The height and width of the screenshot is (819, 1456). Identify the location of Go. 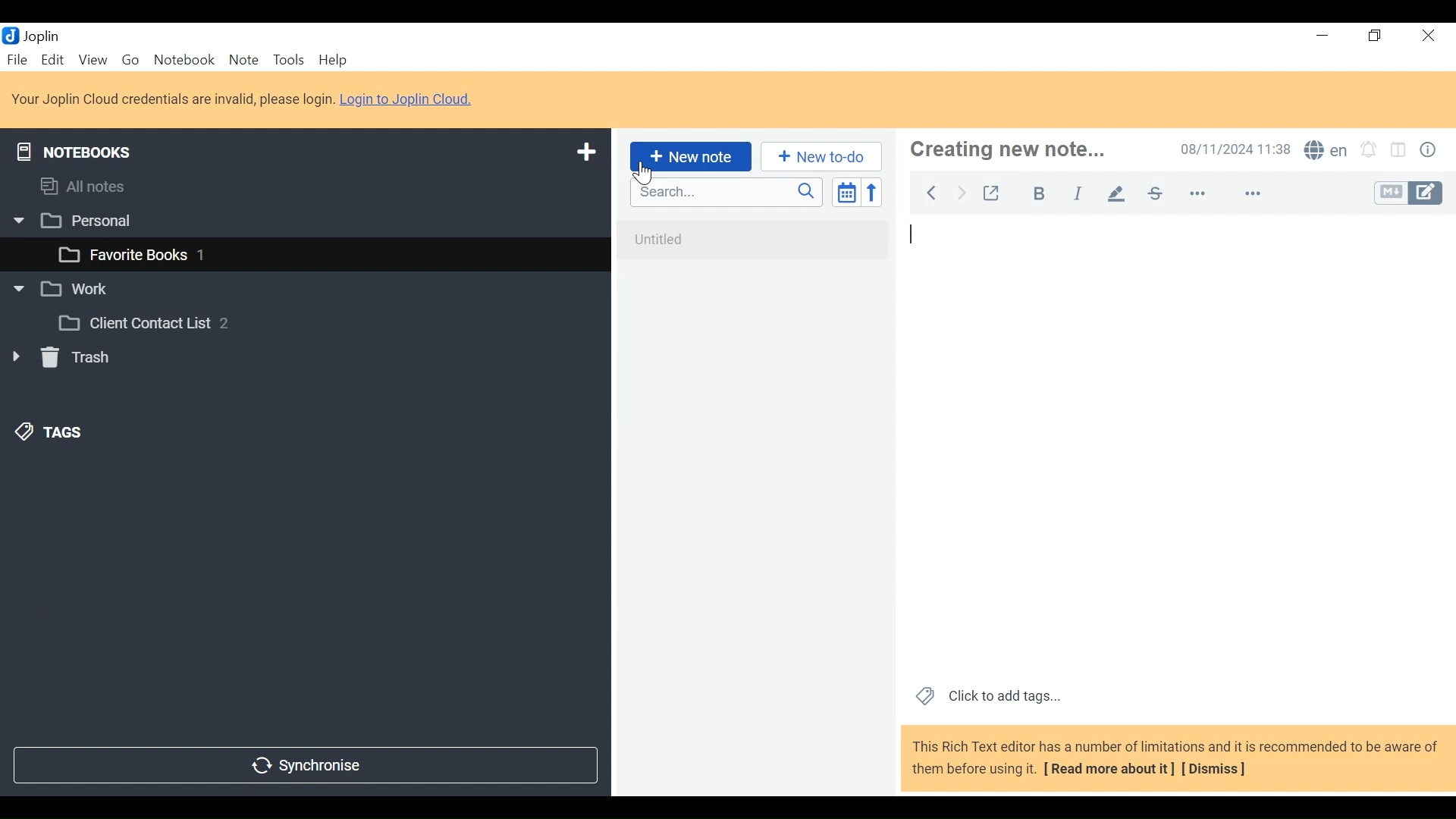
(128, 61).